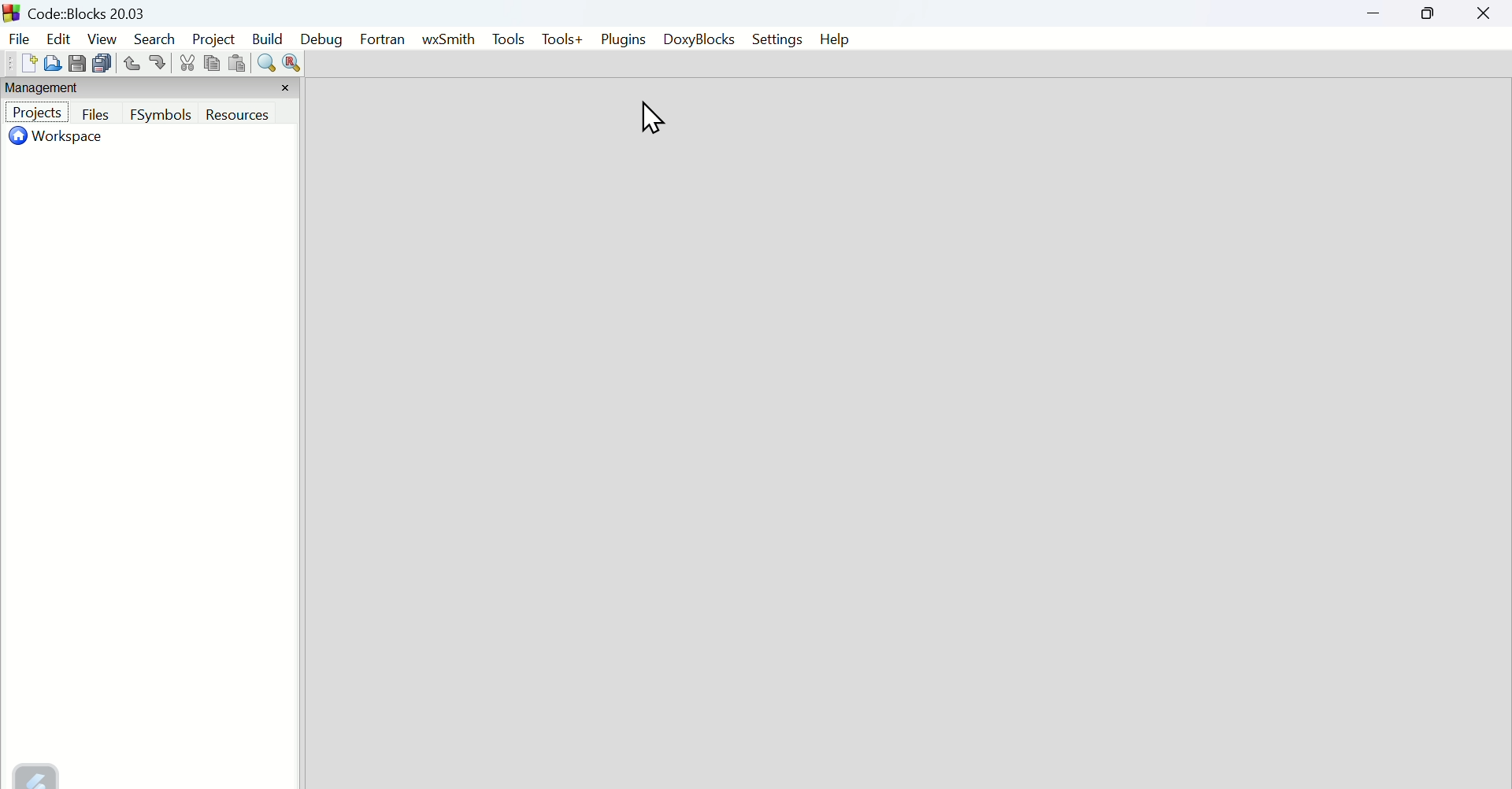  What do you see at coordinates (698, 38) in the screenshot?
I see `Doxyblocks` at bounding box center [698, 38].